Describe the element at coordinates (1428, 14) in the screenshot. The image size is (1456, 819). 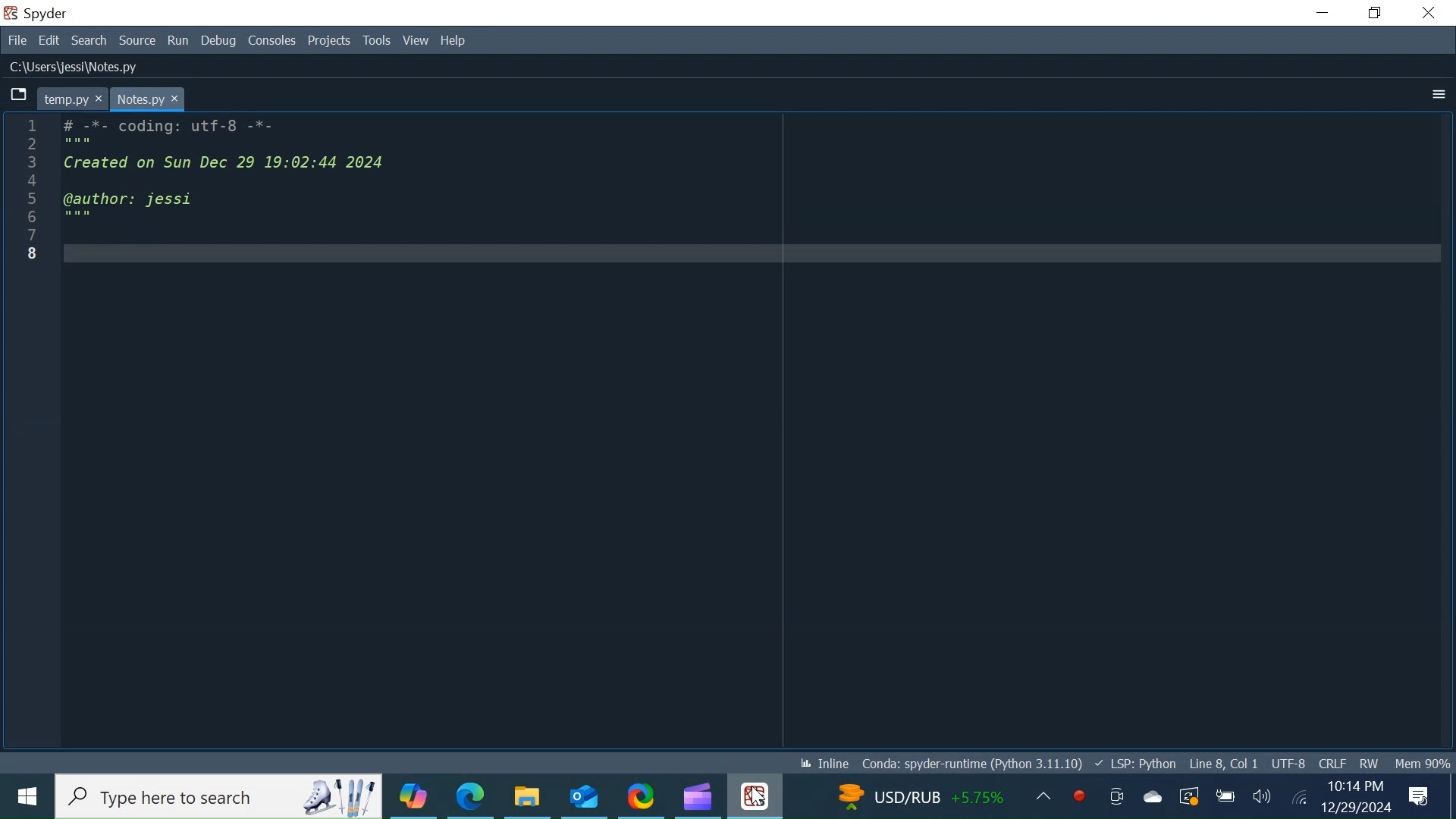
I see `Close` at that location.